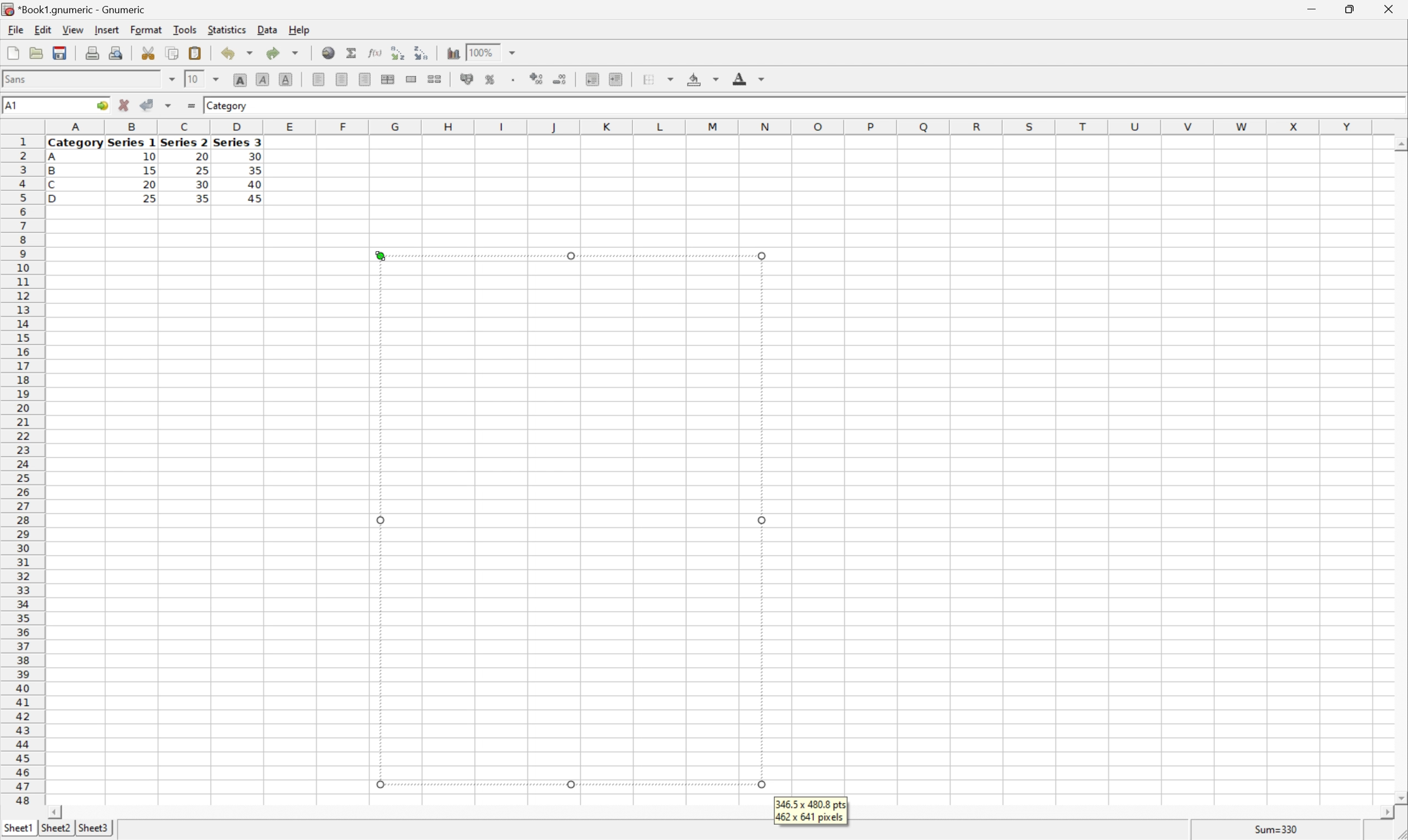 This screenshot has width=1408, height=840. Describe the element at coordinates (241, 78) in the screenshot. I see `Bold` at that location.